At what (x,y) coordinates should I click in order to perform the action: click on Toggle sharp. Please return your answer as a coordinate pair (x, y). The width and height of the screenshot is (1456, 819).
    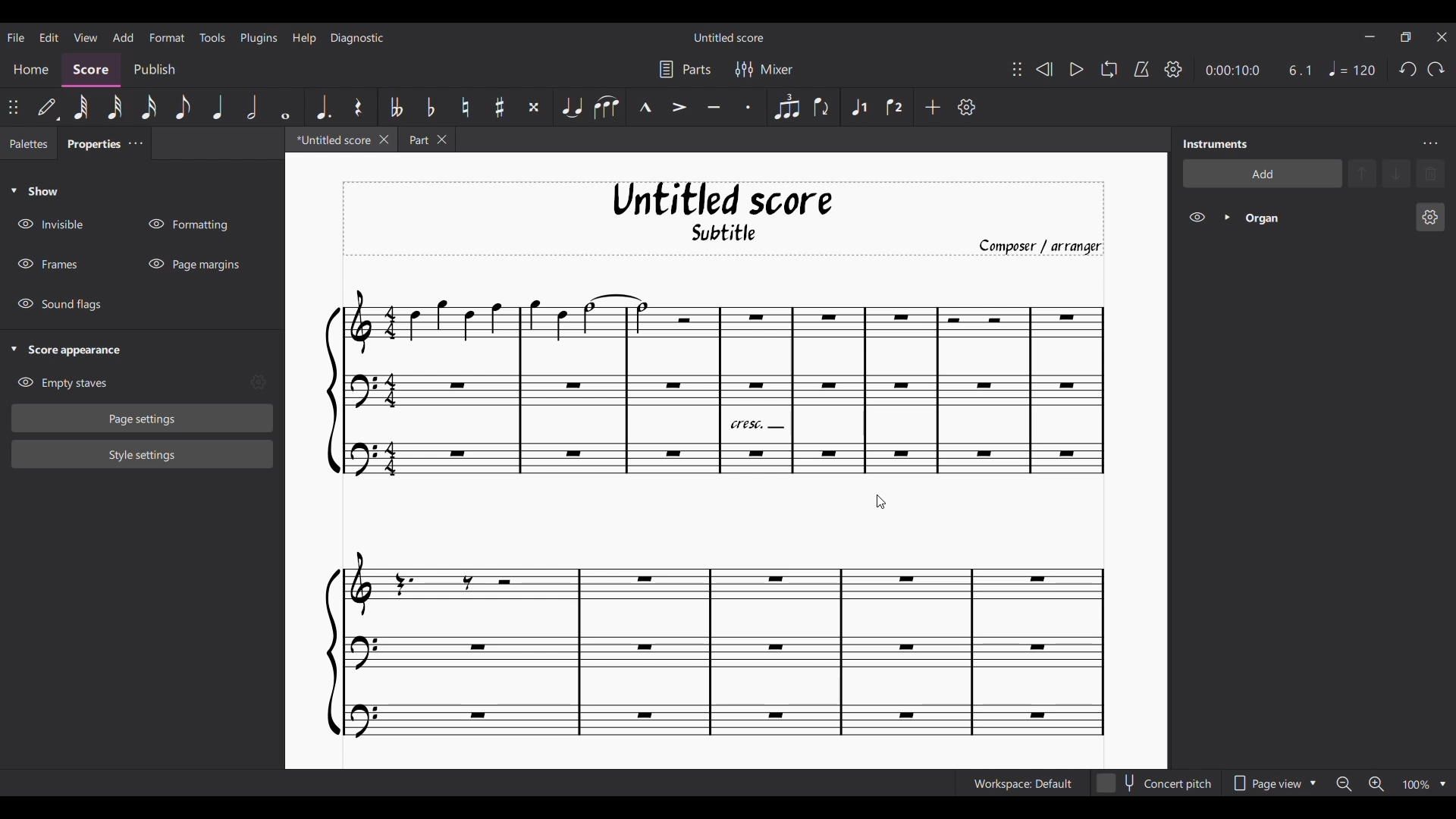
    Looking at the image, I should click on (499, 108).